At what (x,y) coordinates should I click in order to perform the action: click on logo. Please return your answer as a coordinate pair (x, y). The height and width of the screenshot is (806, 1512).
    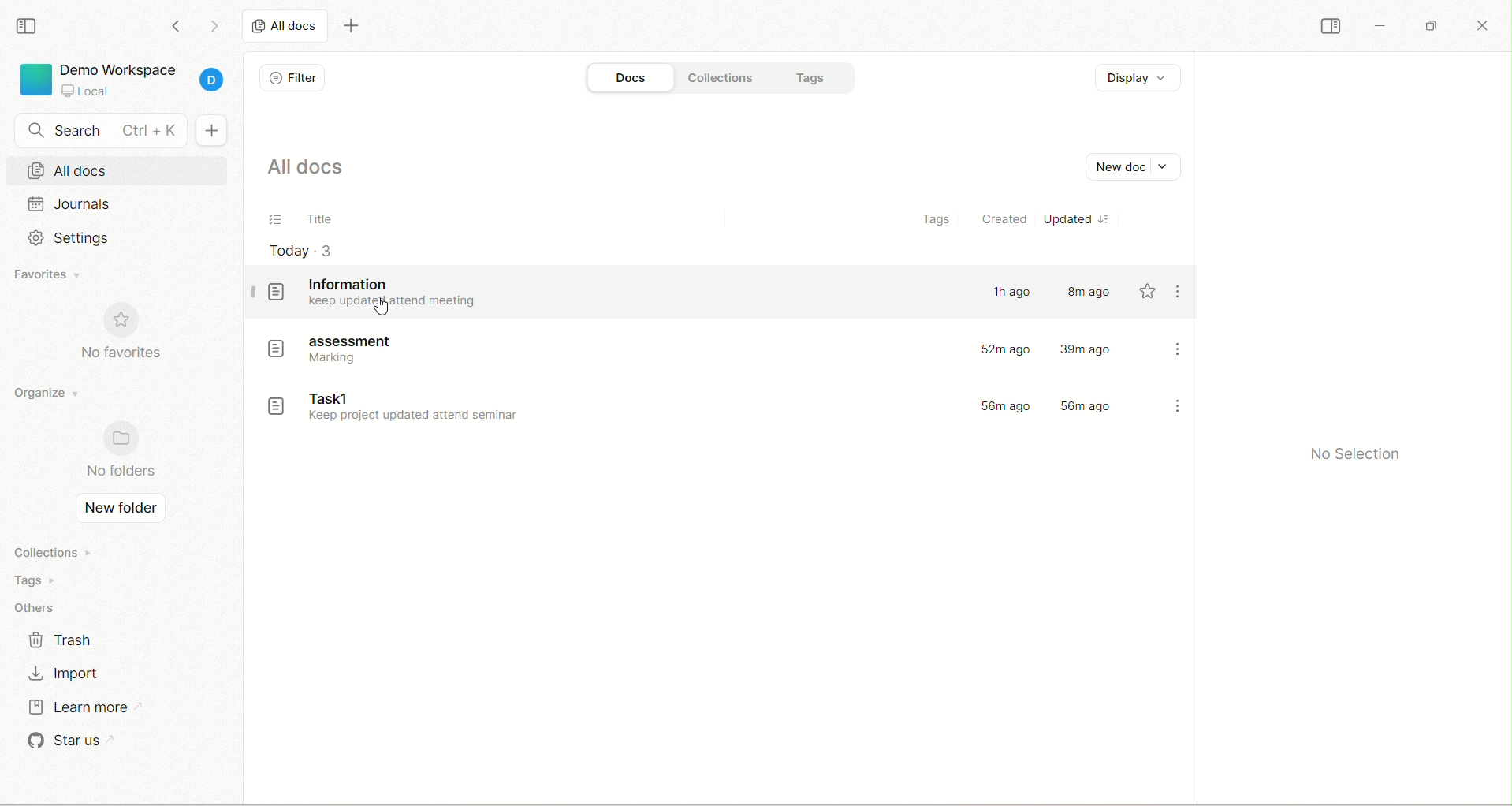
    Looking at the image, I should click on (34, 82).